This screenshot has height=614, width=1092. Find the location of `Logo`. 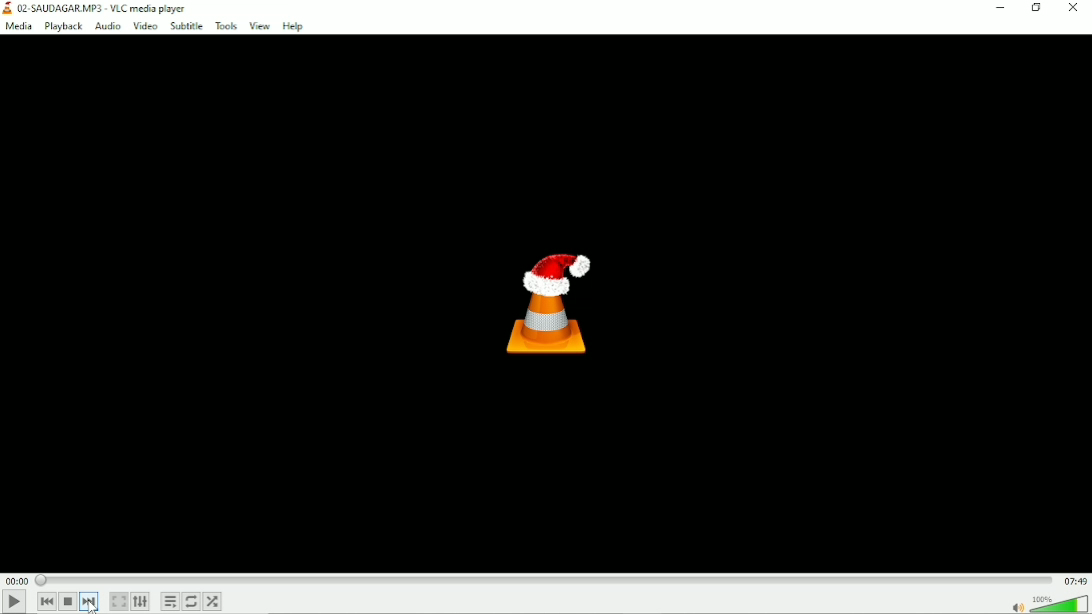

Logo is located at coordinates (548, 307).